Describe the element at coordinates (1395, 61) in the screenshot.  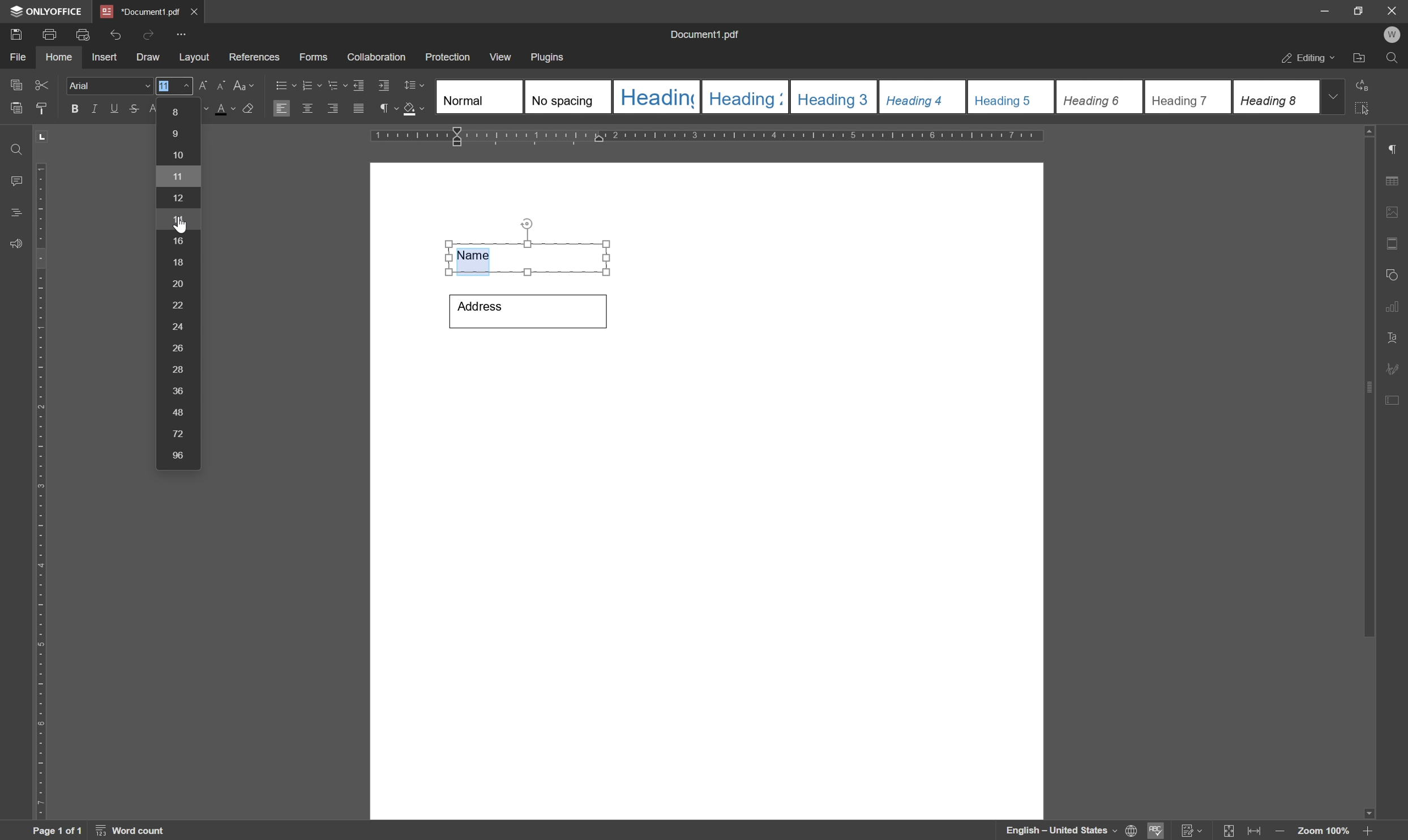
I see `find` at that location.